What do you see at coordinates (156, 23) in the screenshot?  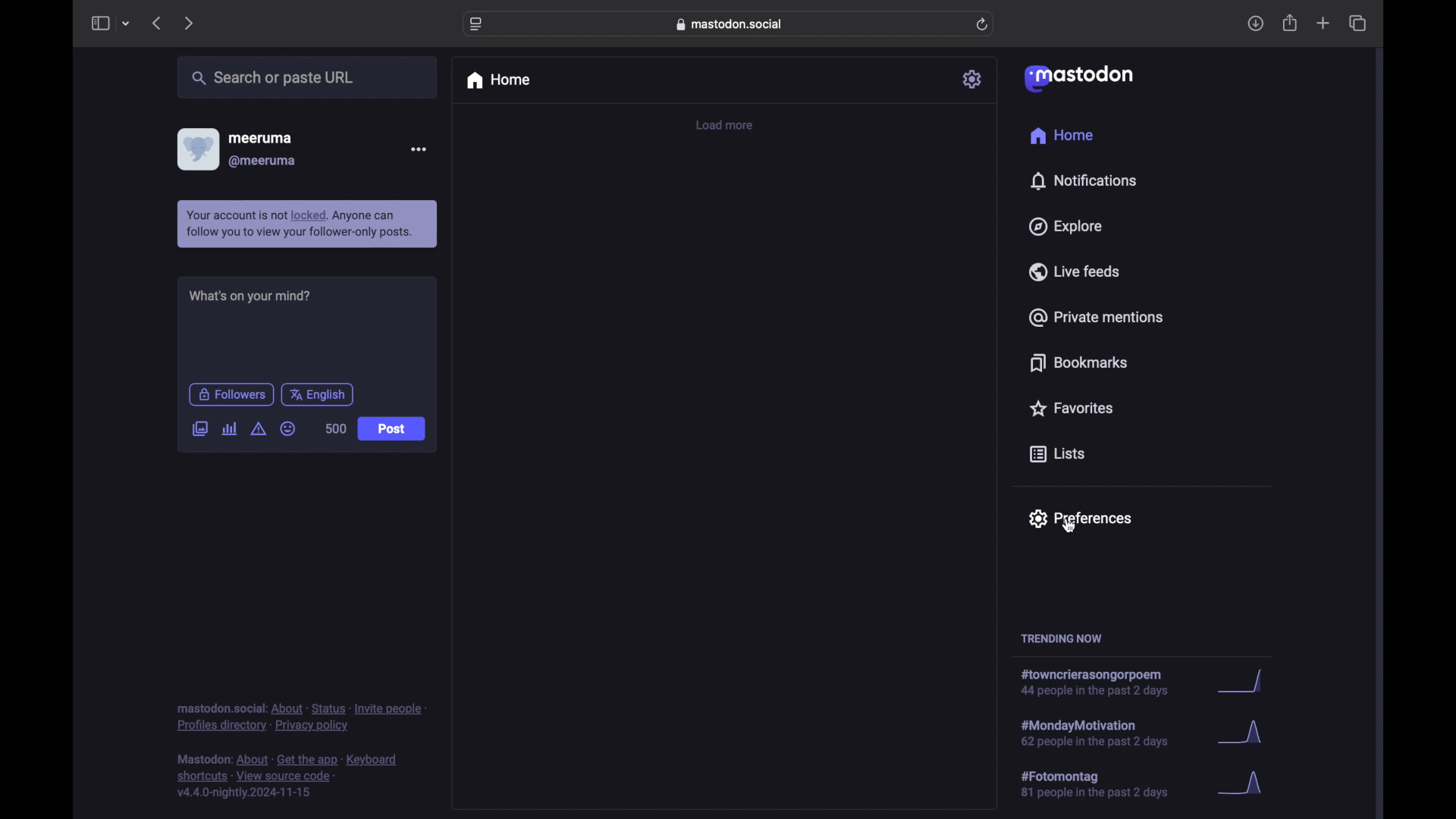 I see `previous` at bounding box center [156, 23].